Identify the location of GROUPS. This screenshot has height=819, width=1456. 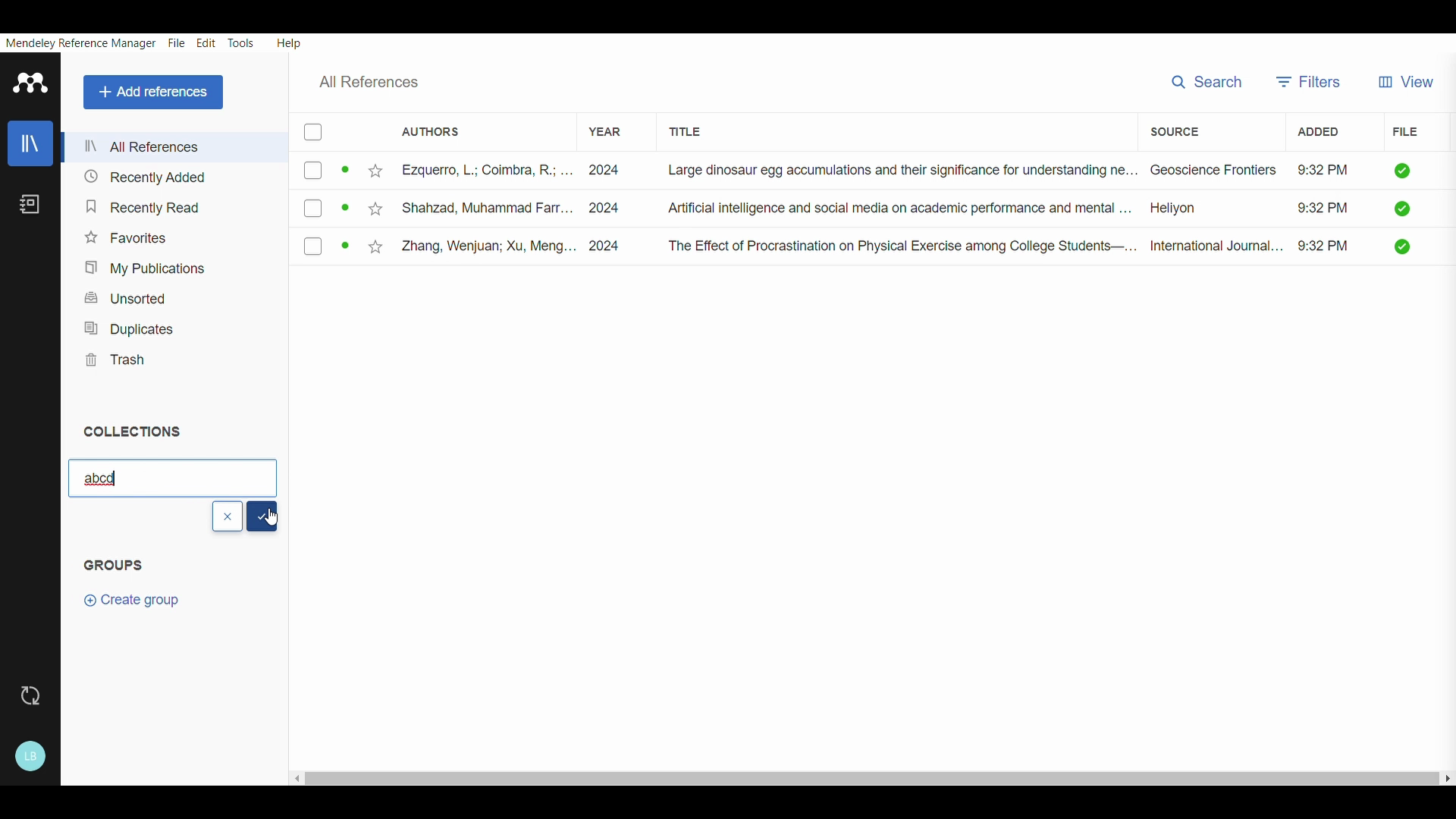
(128, 573).